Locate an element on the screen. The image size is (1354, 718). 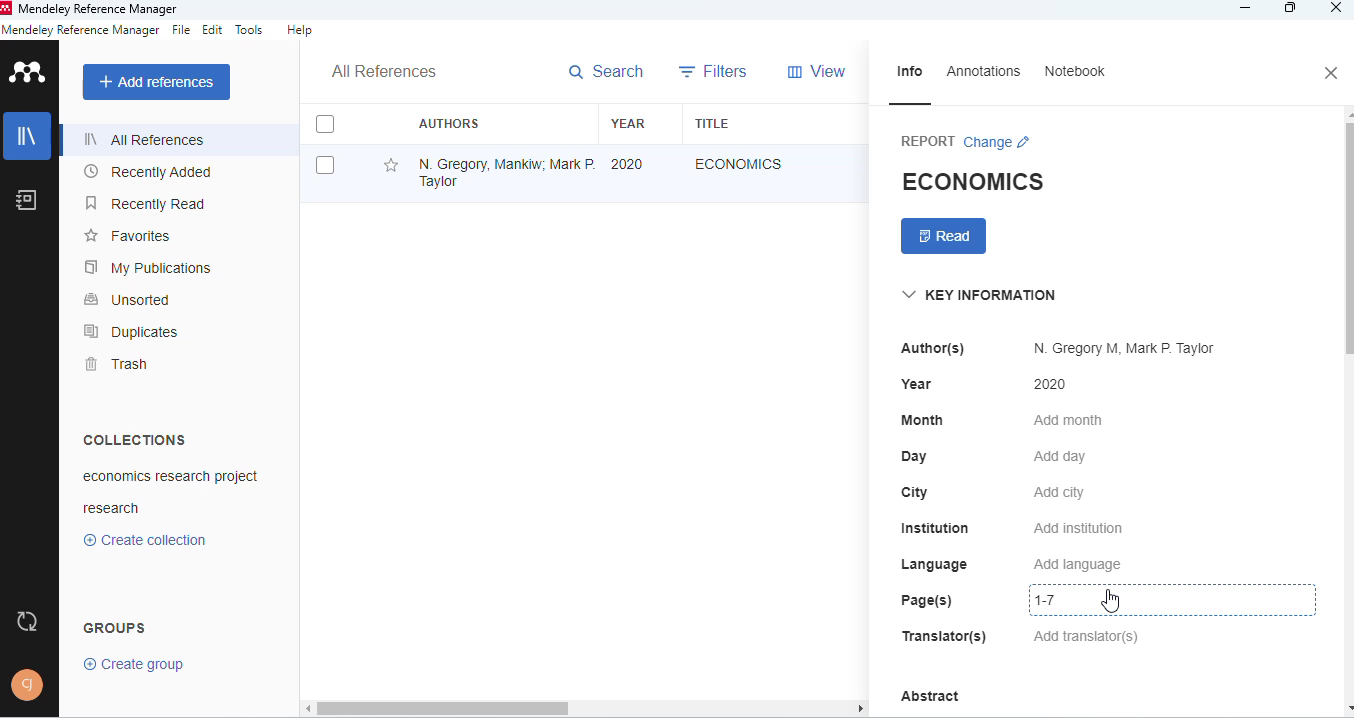
city is located at coordinates (916, 493).